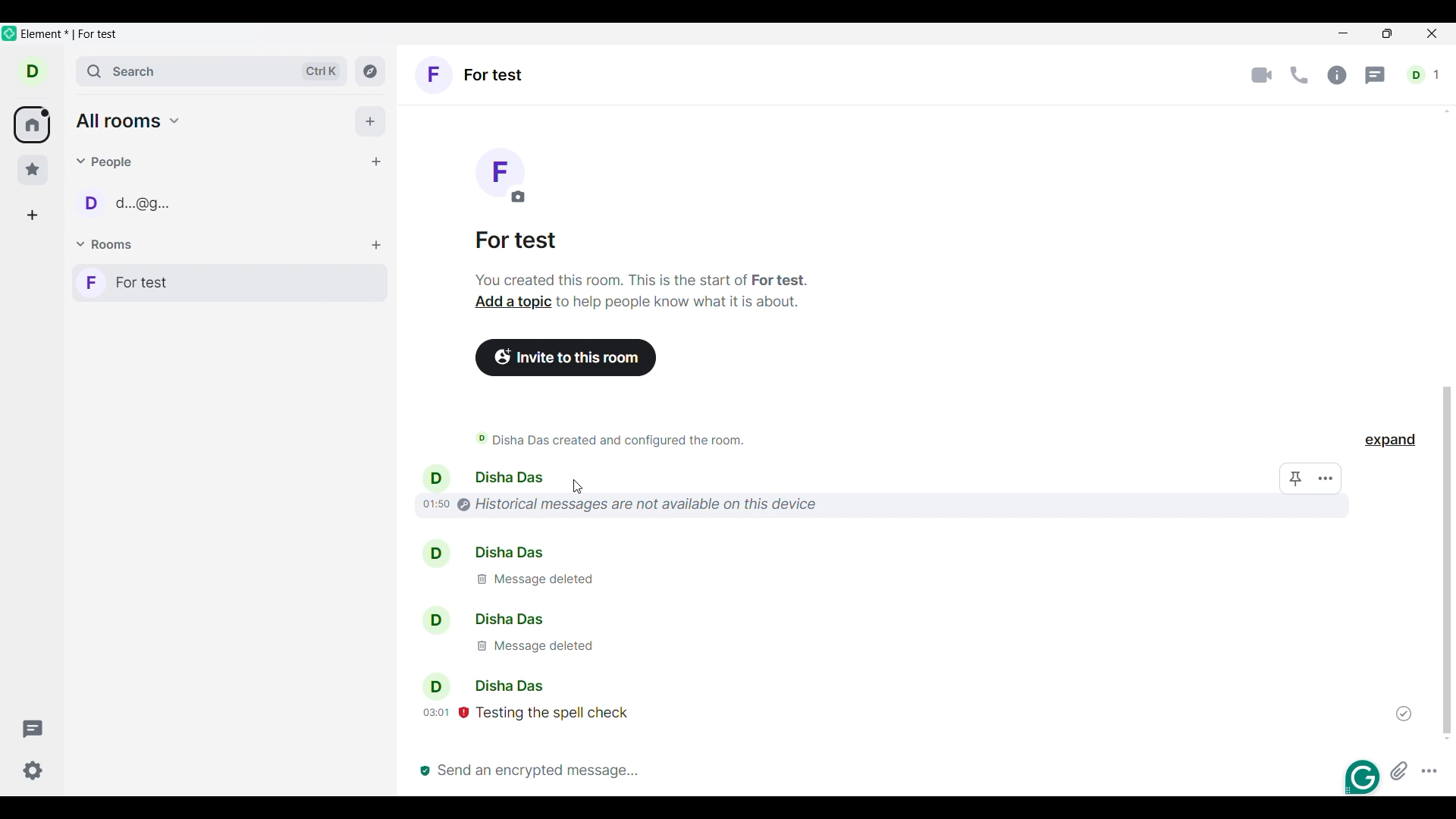 Image resolution: width=1456 pixels, height=819 pixels. What do you see at coordinates (370, 121) in the screenshot?
I see `Add` at bounding box center [370, 121].